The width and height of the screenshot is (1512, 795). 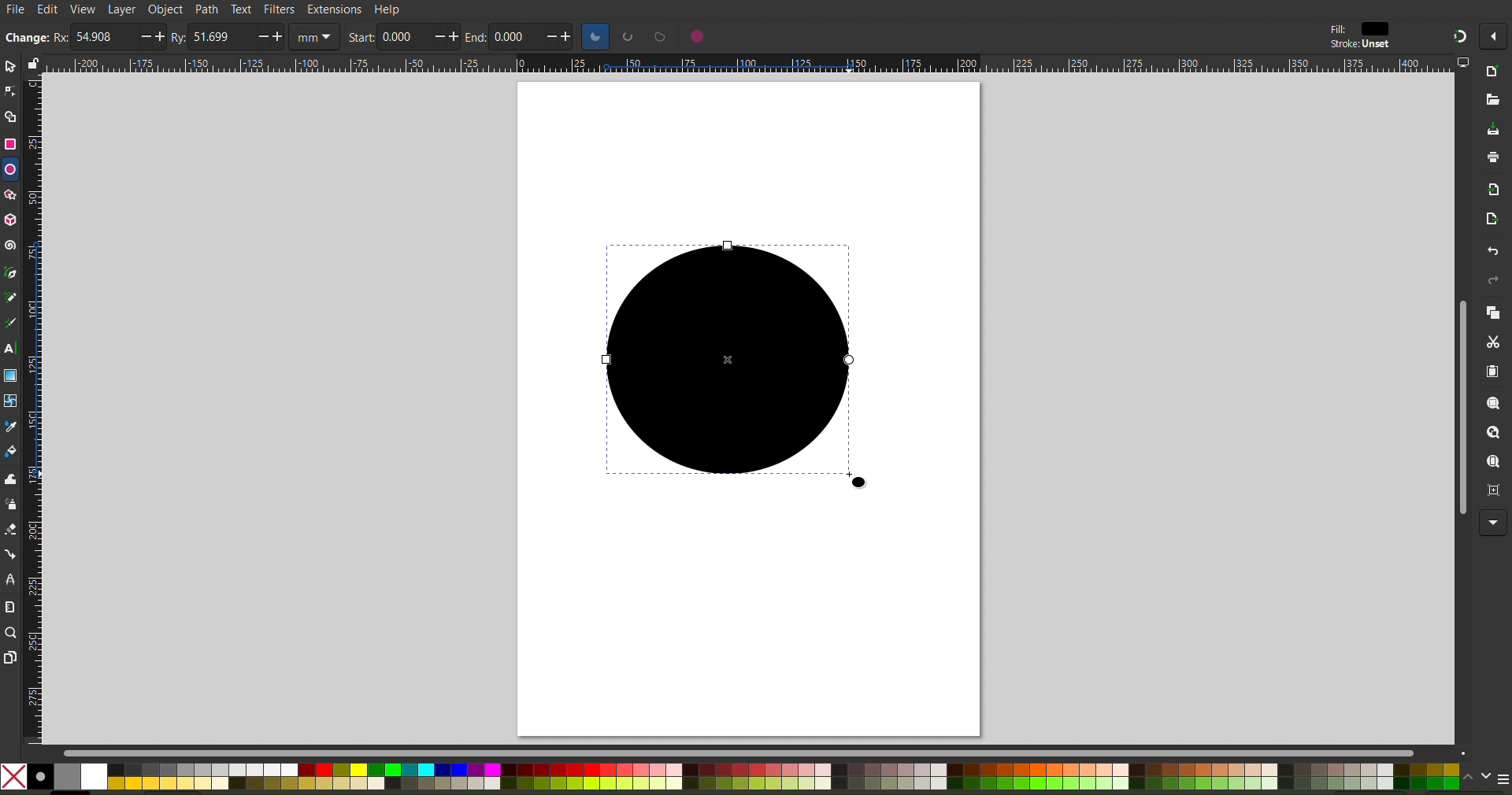 I want to click on increase/decrease, so click(x=154, y=38).